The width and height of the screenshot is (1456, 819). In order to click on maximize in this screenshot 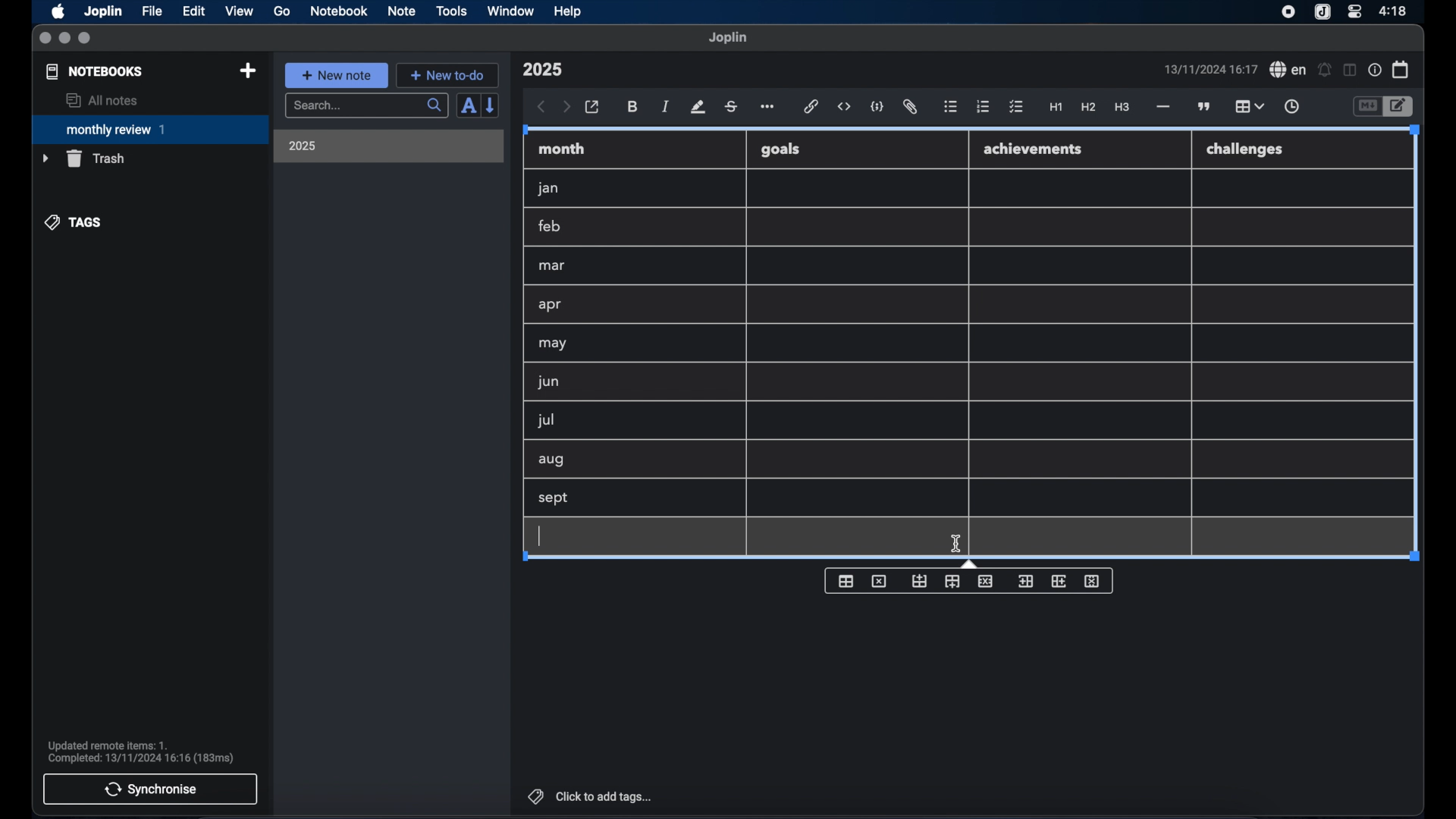, I will do `click(86, 39)`.